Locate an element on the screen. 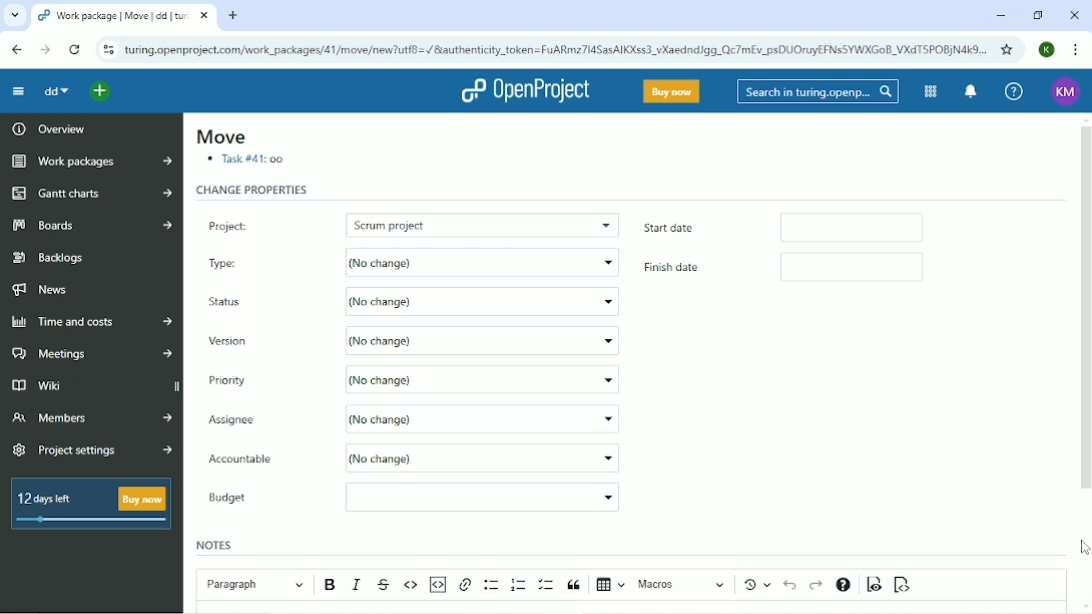 Image resolution: width=1092 pixels, height=614 pixels. Code is located at coordinates (411, 584).